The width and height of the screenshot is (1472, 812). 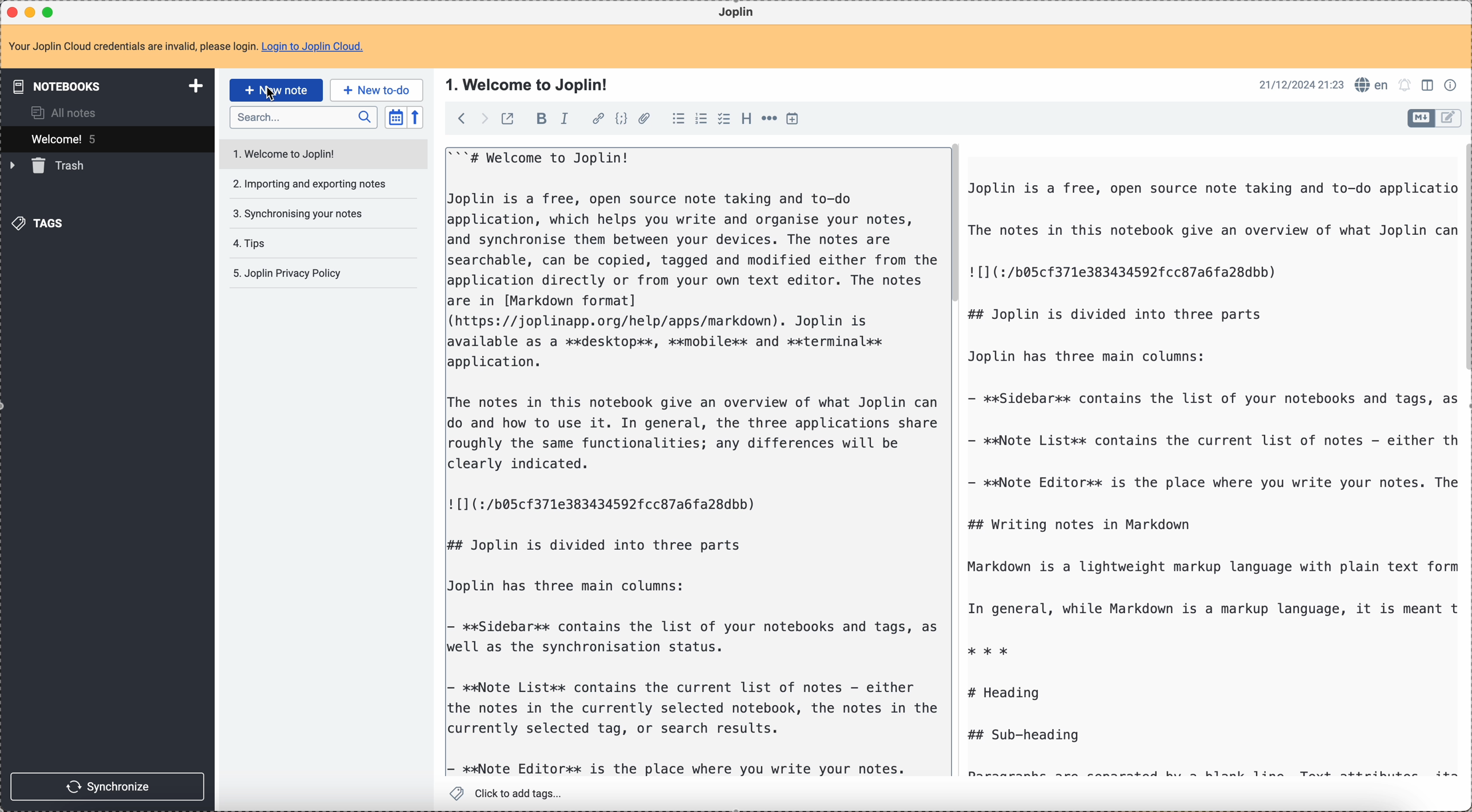 What do you see at coordinates (377, 89) in the screenshot?
I see `new to-do` at bounding box center [377, 89].